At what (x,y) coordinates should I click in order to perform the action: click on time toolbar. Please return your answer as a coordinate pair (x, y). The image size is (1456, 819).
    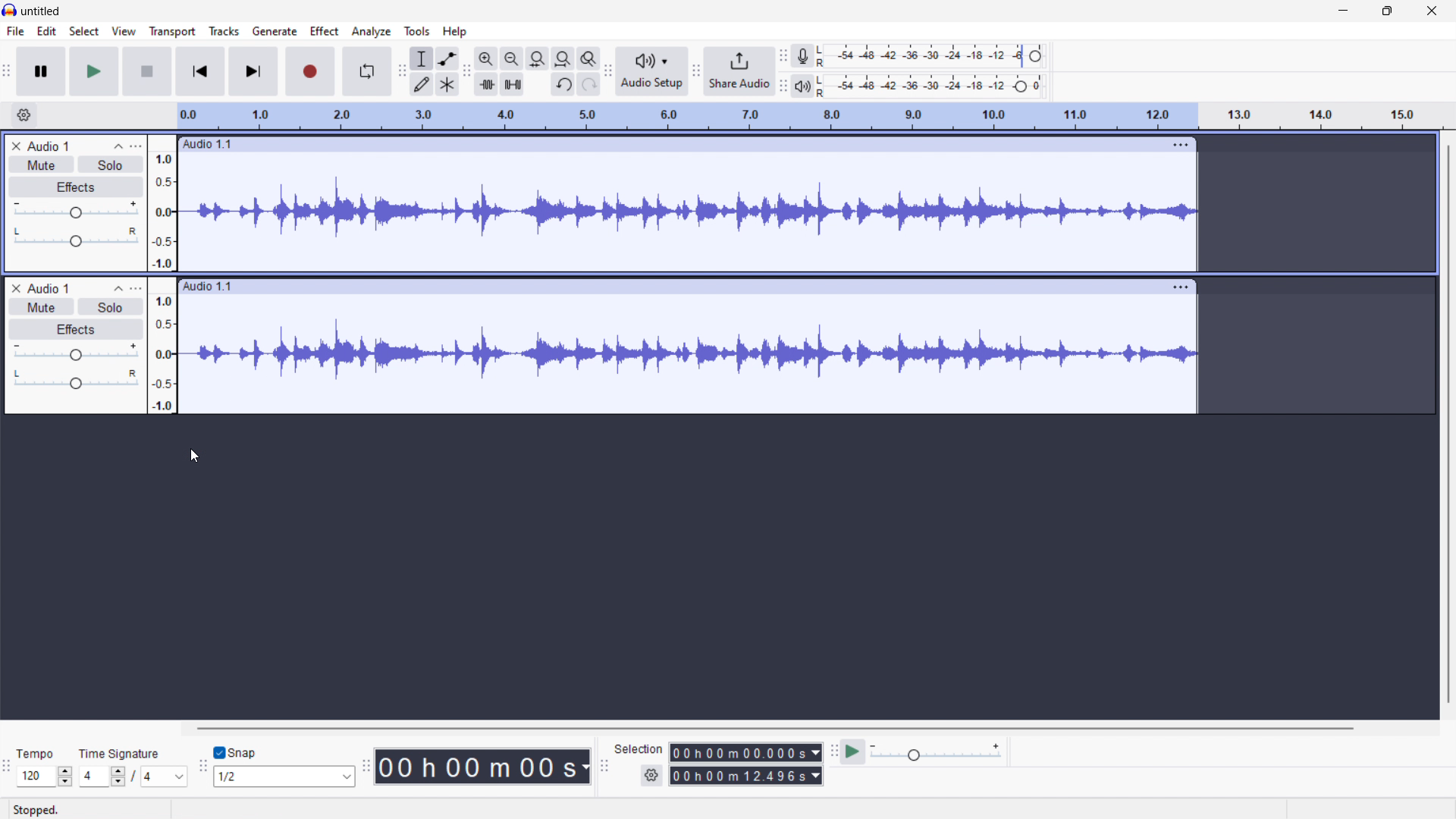
    Looking at the image, I should click on (366, 768).